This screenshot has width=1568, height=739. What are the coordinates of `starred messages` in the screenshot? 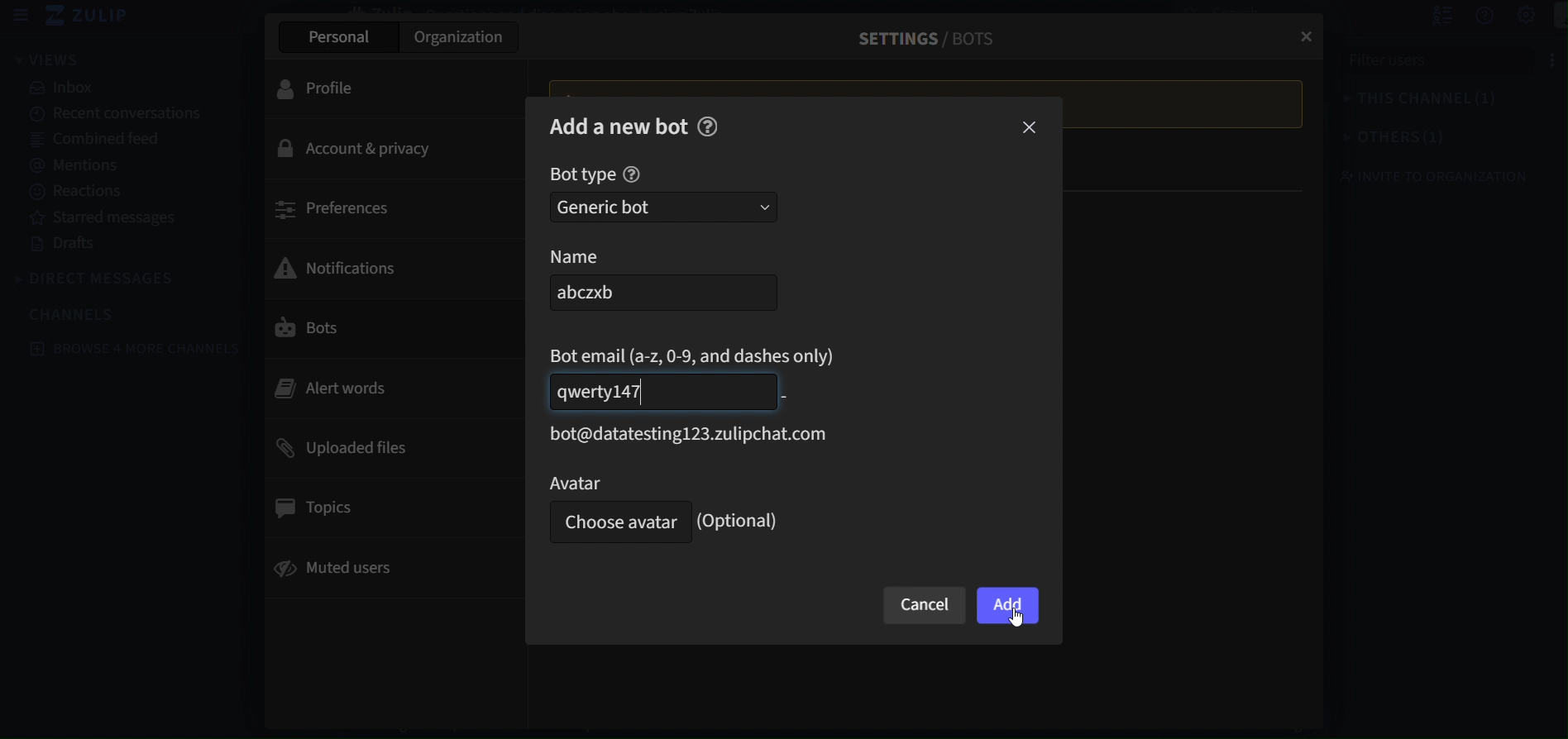 It's located at (113, 216).